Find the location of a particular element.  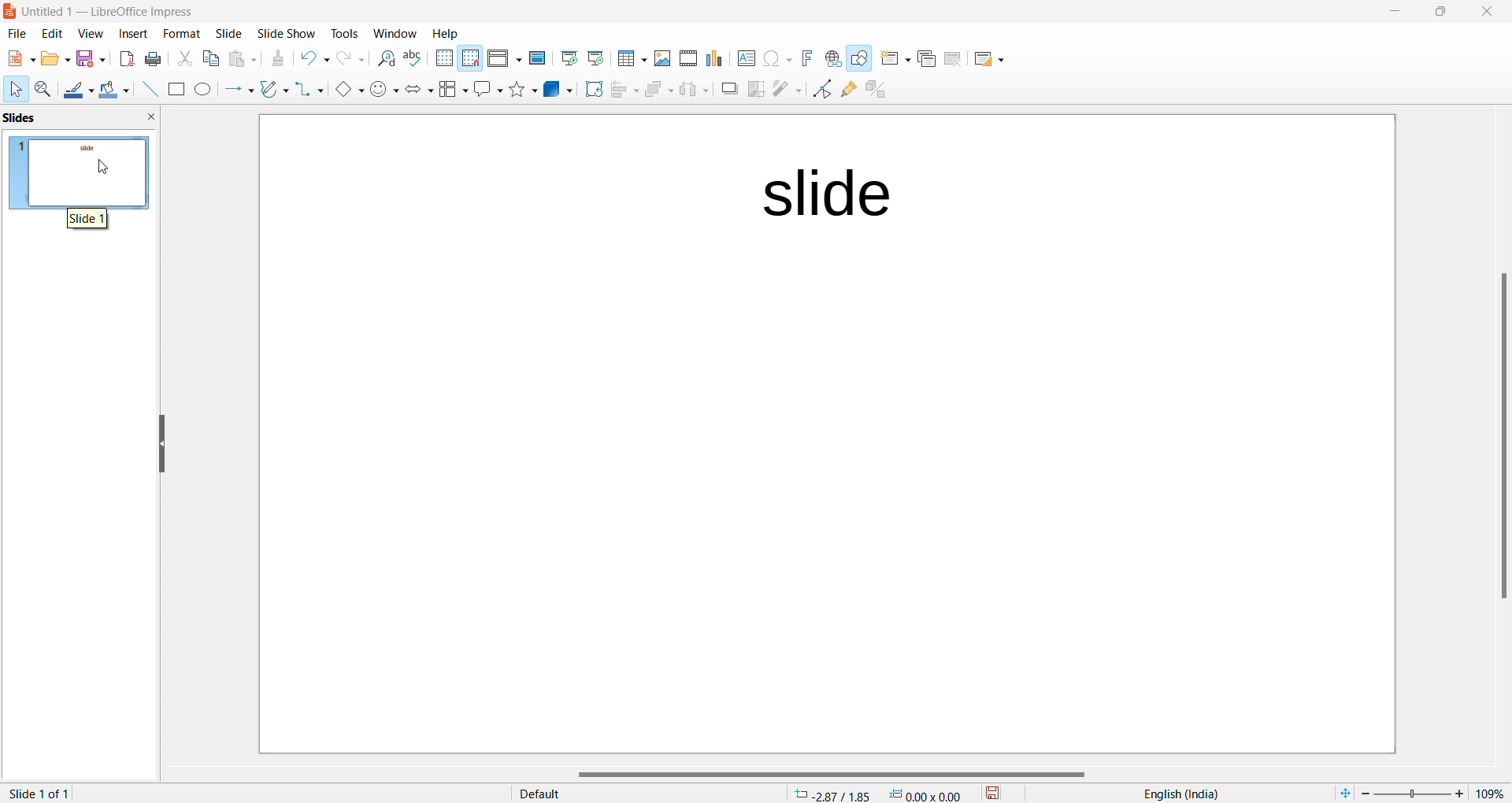

Tools is located at coordinates (342, 31).